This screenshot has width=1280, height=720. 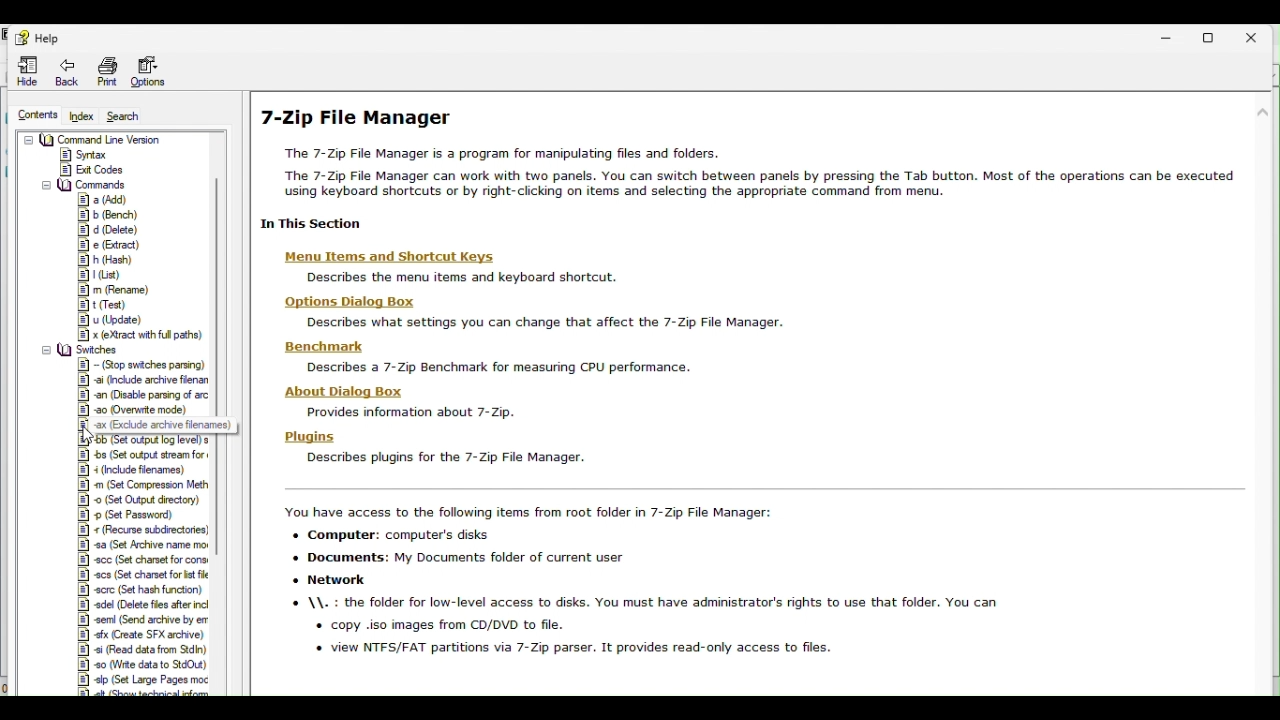 What do you see at coordinates (1213, 34) in the screenshot?
I see `Restore` at bounding box center [1213, 34].